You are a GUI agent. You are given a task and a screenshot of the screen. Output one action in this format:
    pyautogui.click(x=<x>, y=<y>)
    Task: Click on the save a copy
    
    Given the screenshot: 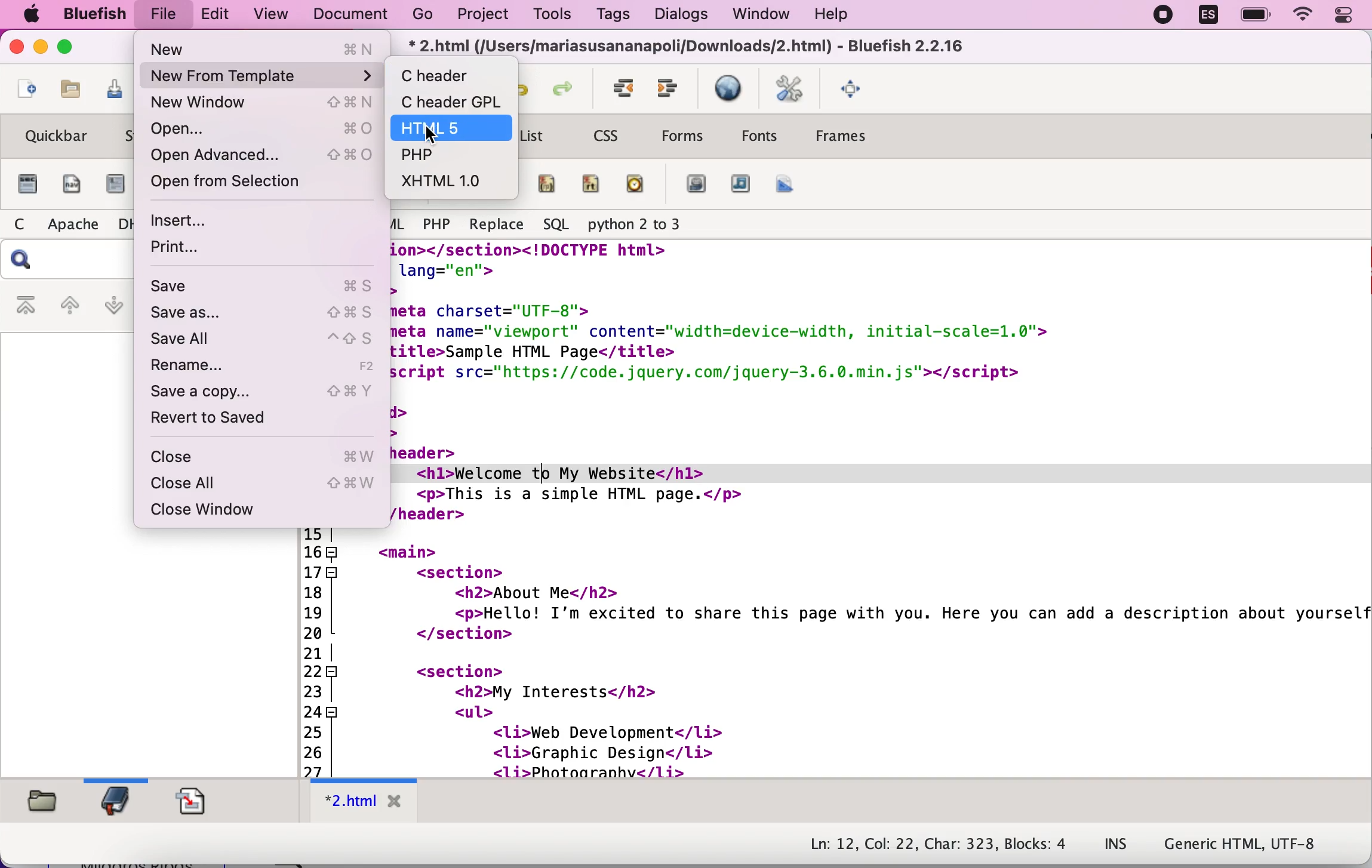 What is the action you would take?
    pyautogui.click(x=269, y=392)
    